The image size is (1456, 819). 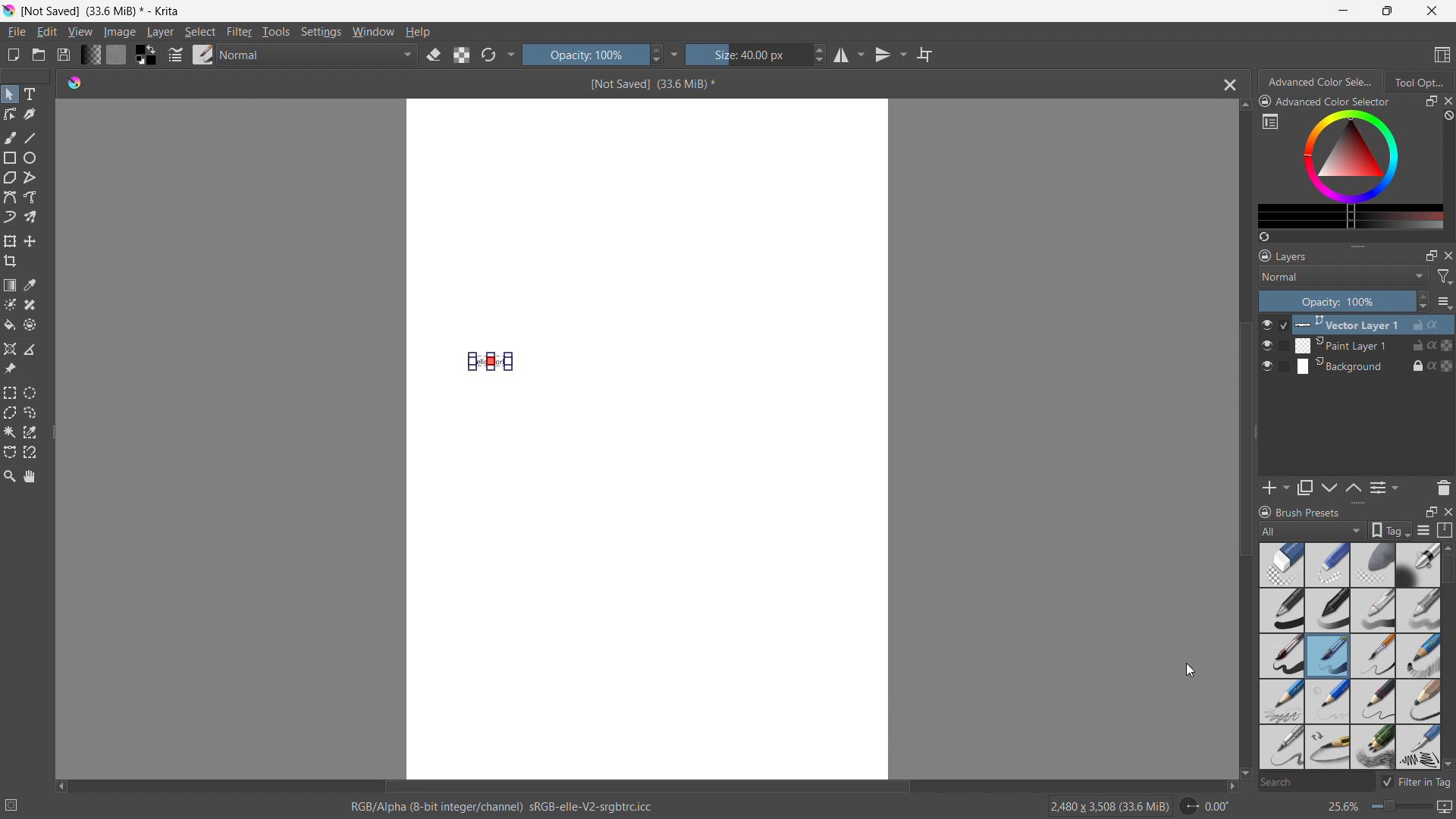 I want to click on elliptical selection tool, so click(x=30, y=393).